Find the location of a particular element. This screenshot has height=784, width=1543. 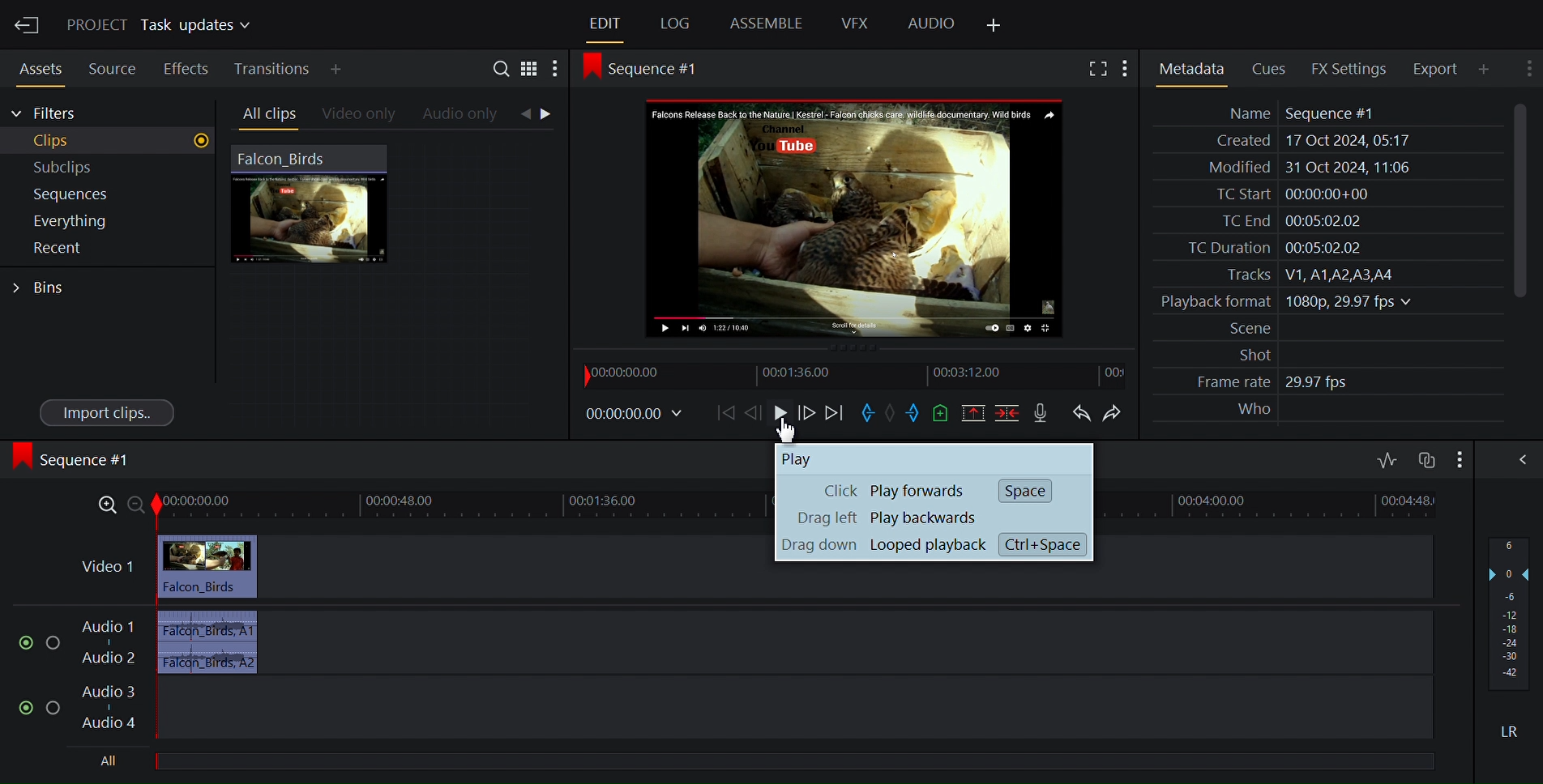

TC End  00:05:02.02 is located at coordinates (1283, 221).